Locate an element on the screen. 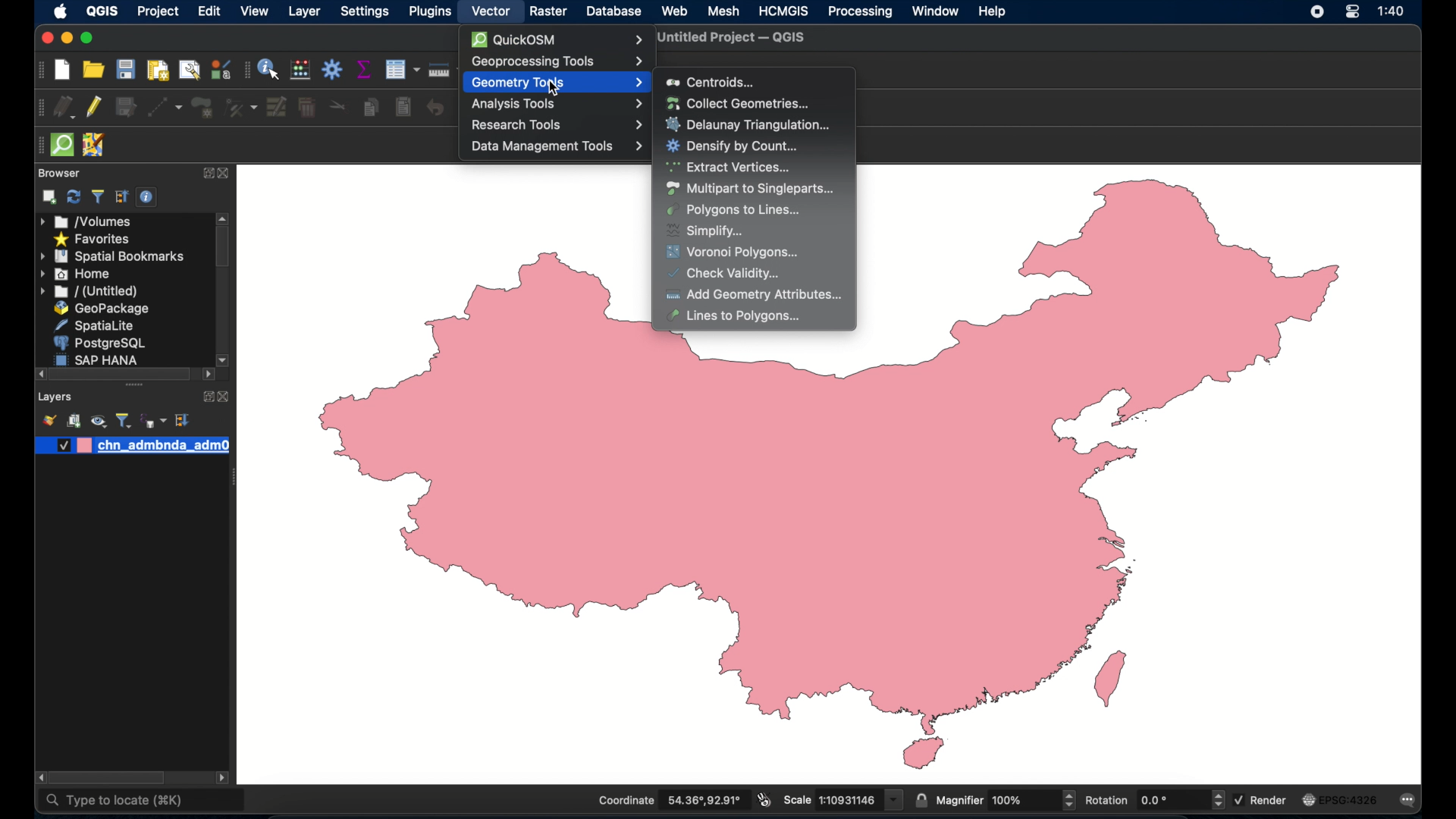 The height and width of the screenshot is (819, 1456). QGIS is located at coordinates (101, 11).